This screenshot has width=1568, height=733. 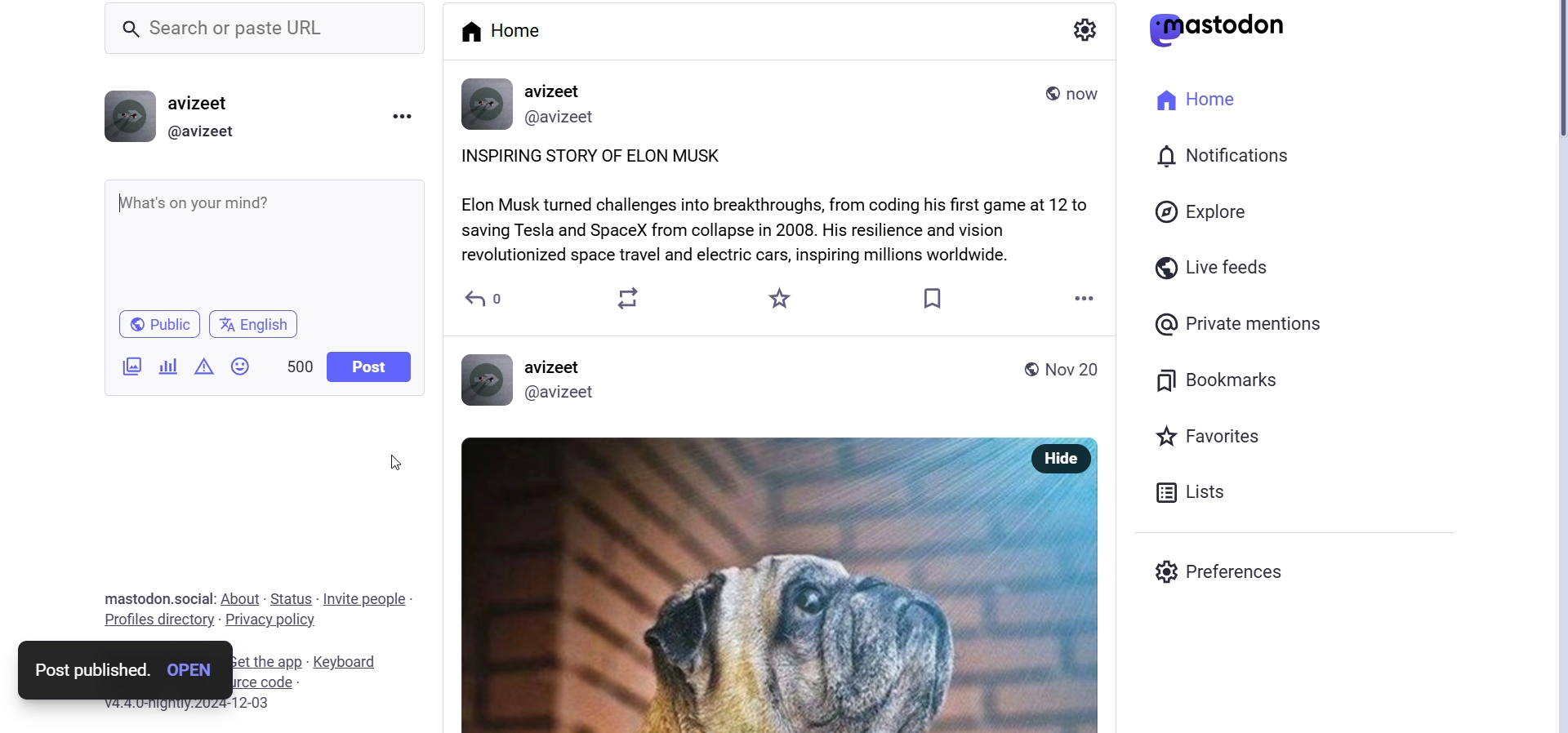 I want to click on text, so click(x=150, y=598).